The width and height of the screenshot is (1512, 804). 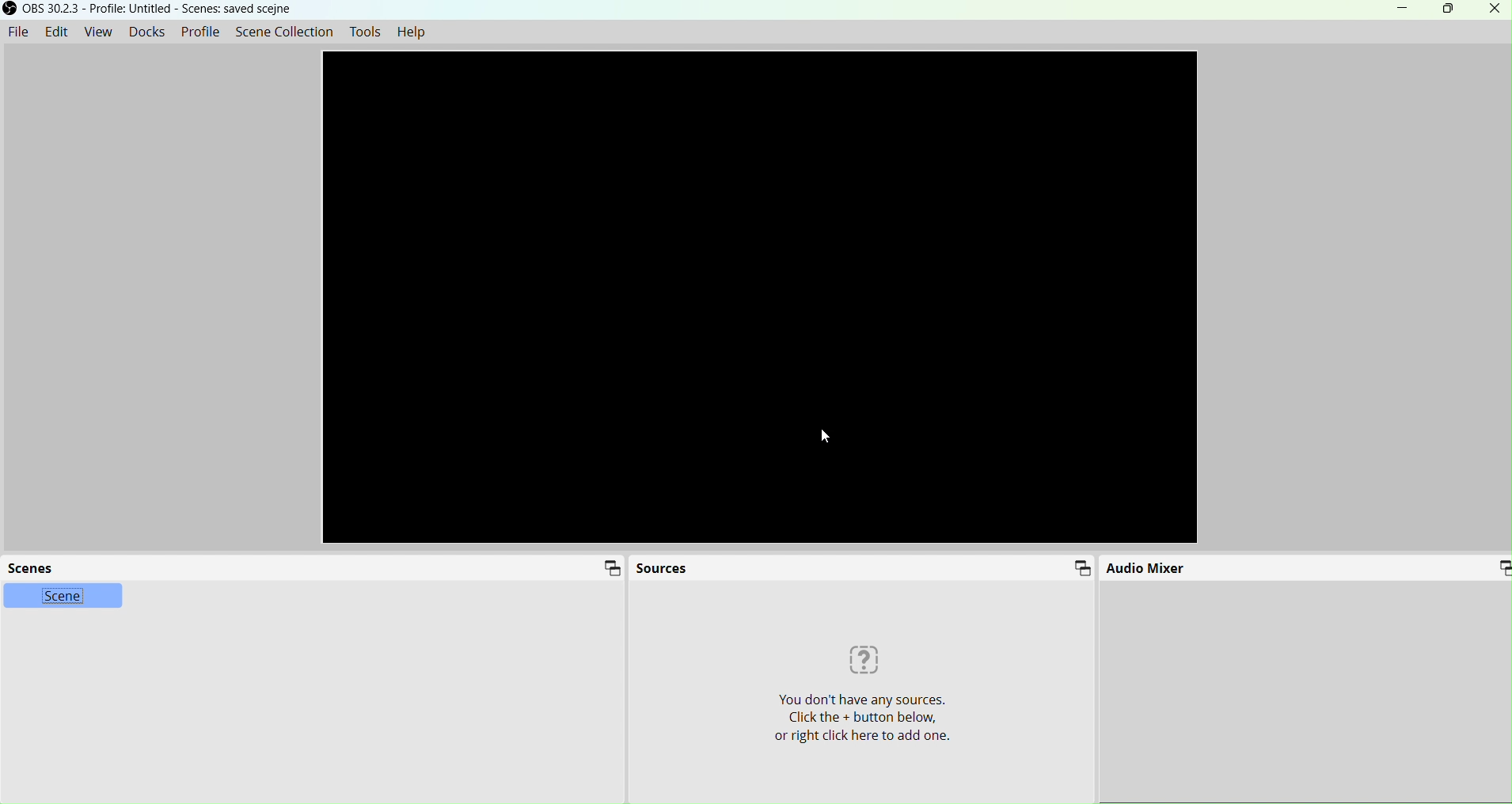 I want to click on Preview  window , so click(x=763, y=300).